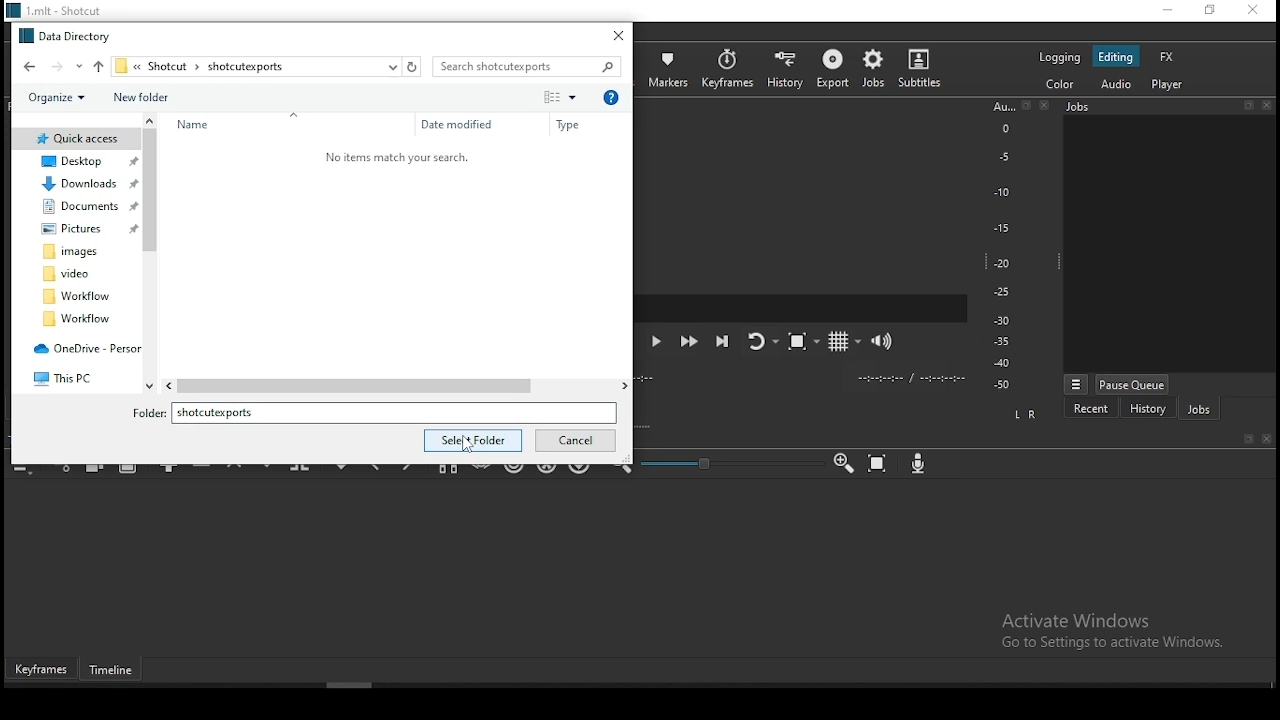  I want to click on toggle zoom, so click(800, 344).